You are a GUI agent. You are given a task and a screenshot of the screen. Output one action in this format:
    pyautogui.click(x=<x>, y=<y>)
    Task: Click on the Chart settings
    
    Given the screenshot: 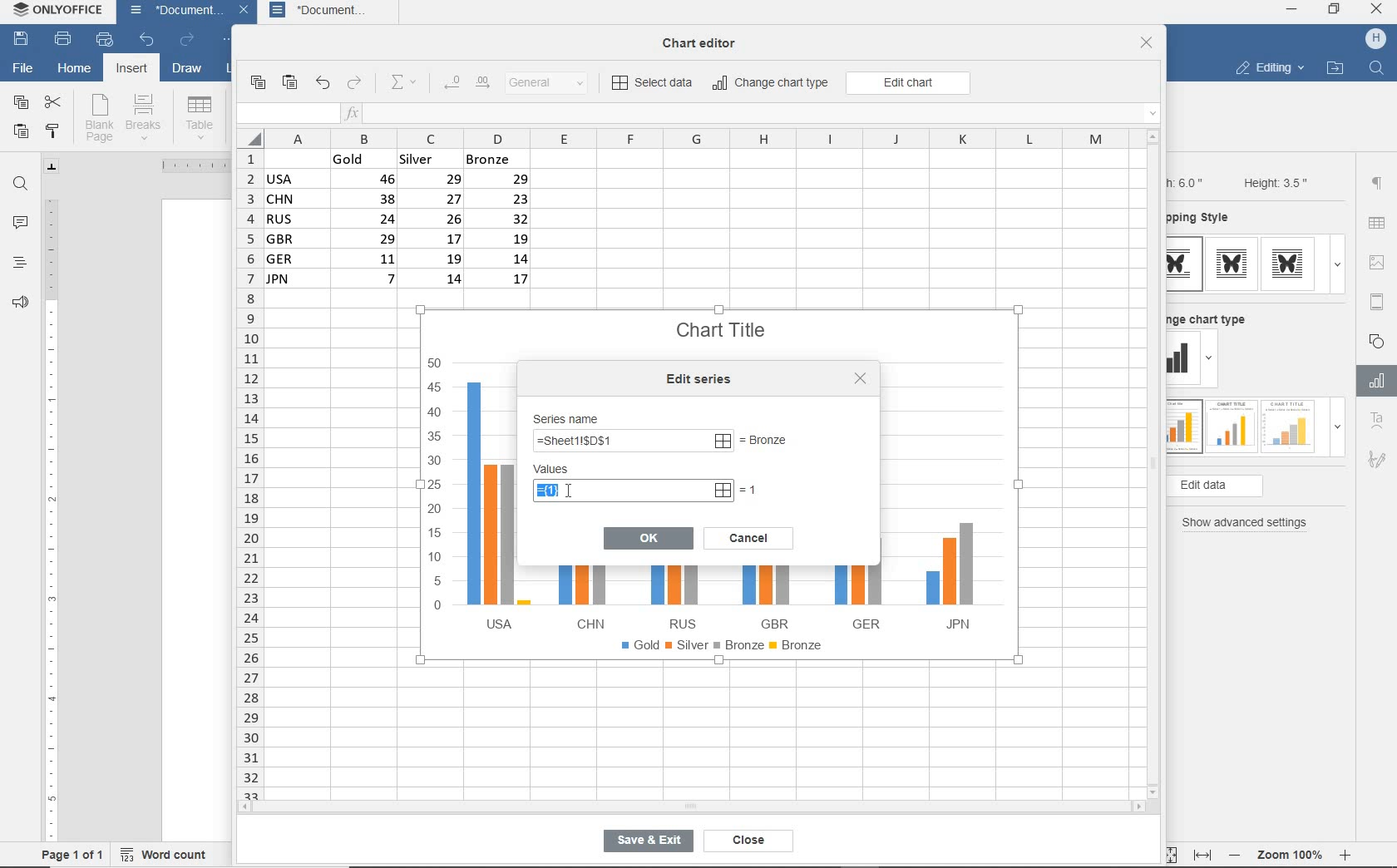 What is the action you would take?
    pyautogui.click(x=1374, y=381)
    